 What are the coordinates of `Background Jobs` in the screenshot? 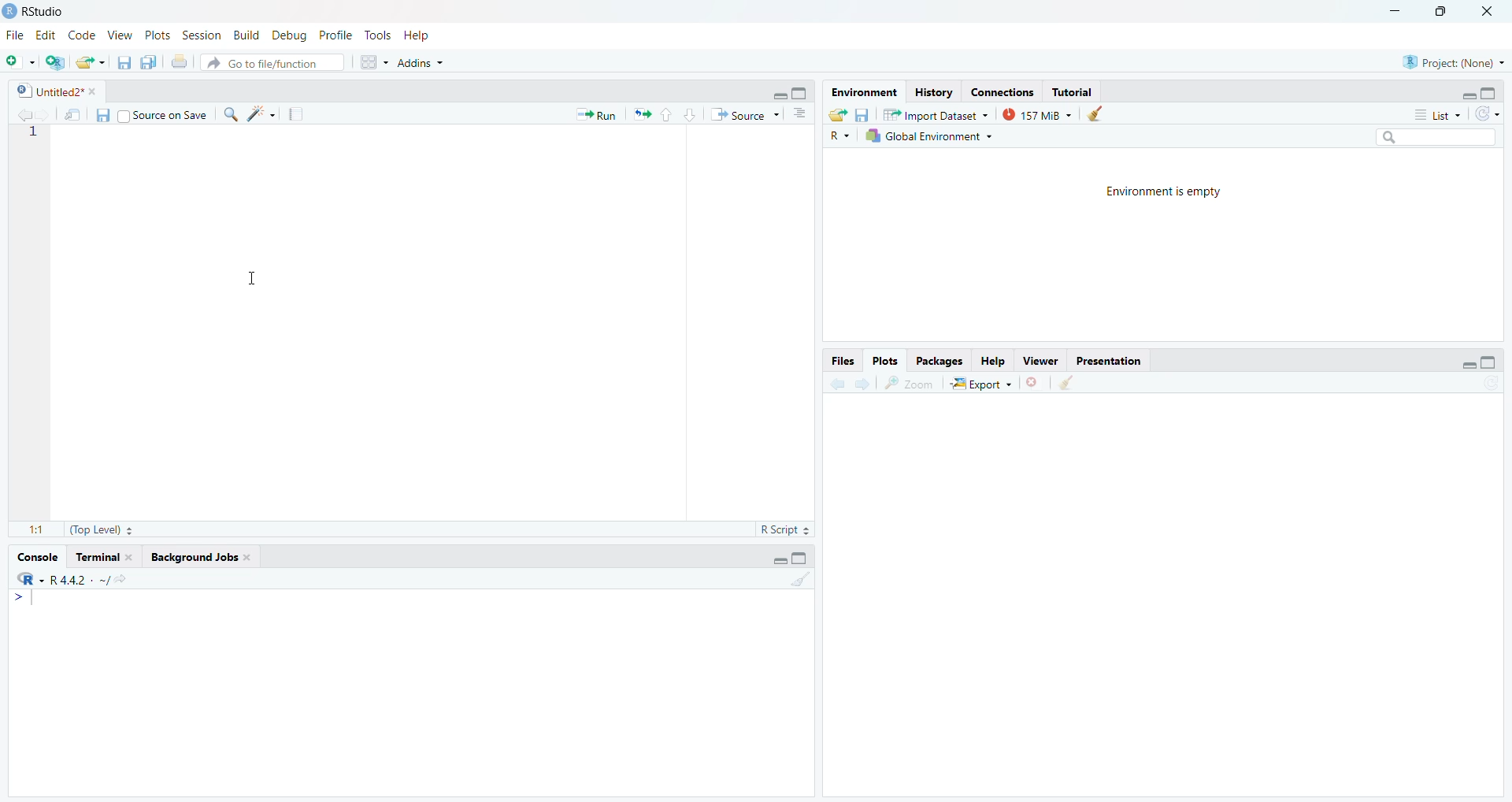 It's located at (191, 556).